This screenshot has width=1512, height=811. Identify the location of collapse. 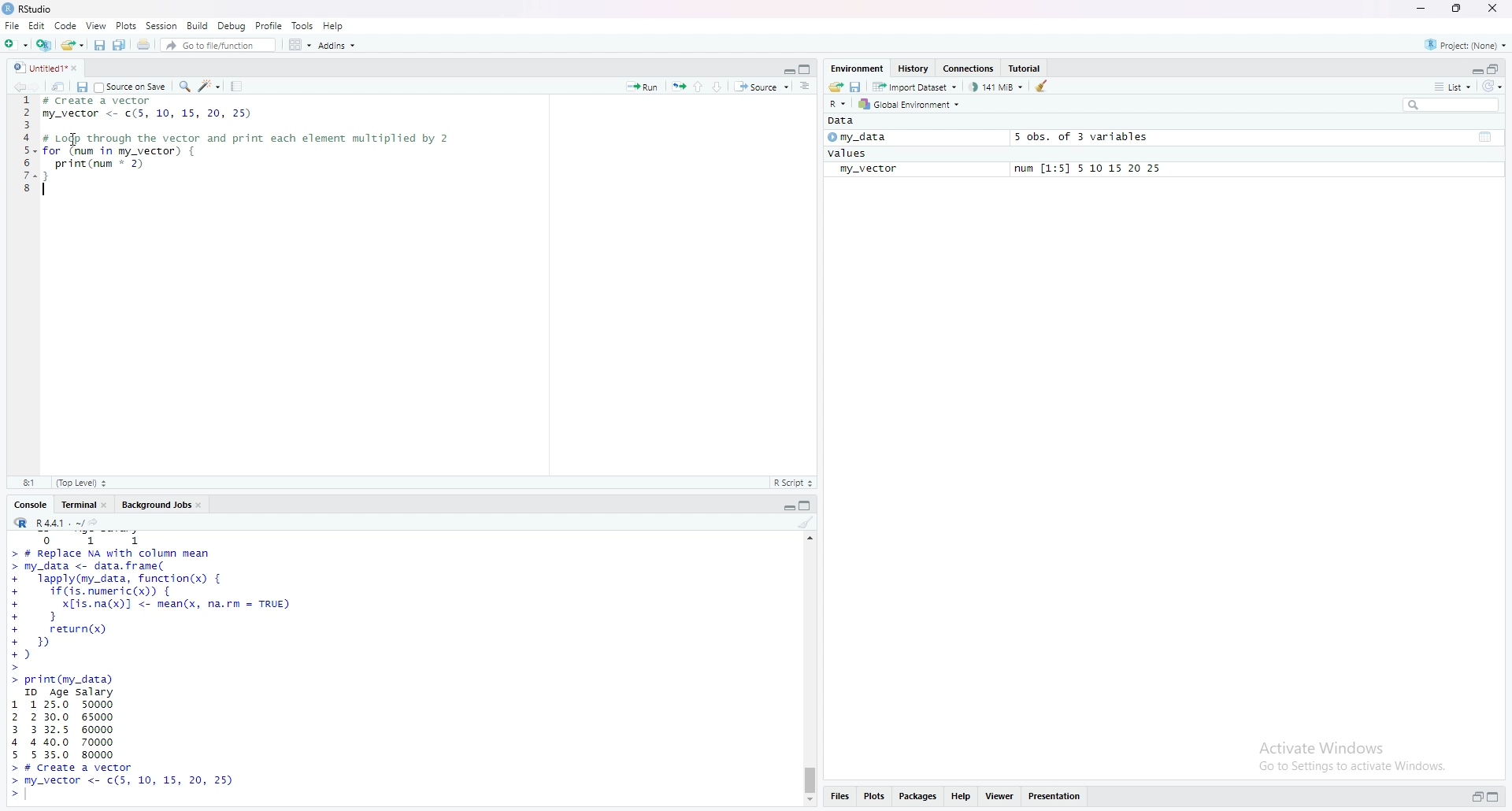
(810, 505).